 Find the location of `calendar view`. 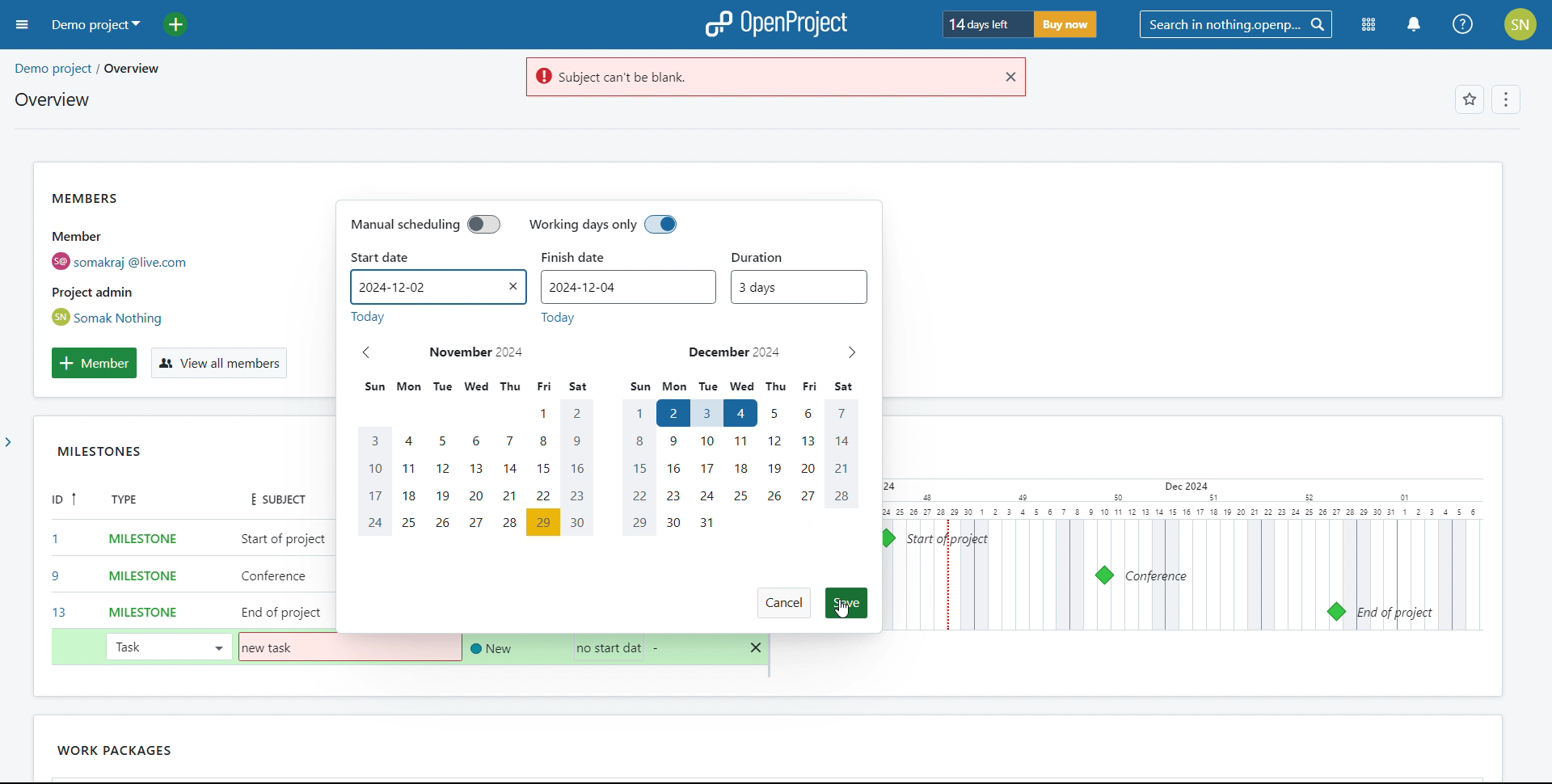

calendar view is located at coordinates (1179, 555).